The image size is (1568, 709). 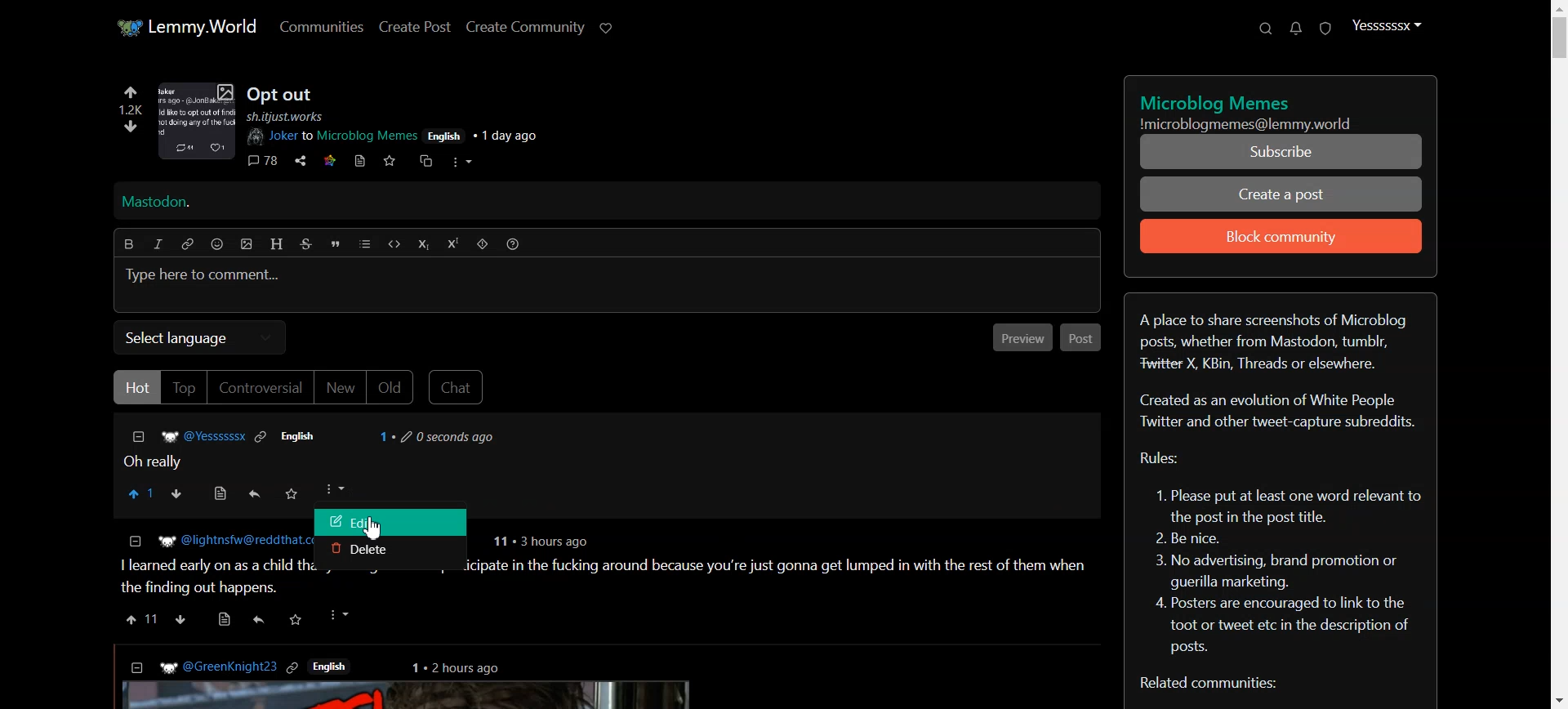 What do you see at coordinates (389, 161) in the screenshot?
I see `save` at bounding box center [389, 161].